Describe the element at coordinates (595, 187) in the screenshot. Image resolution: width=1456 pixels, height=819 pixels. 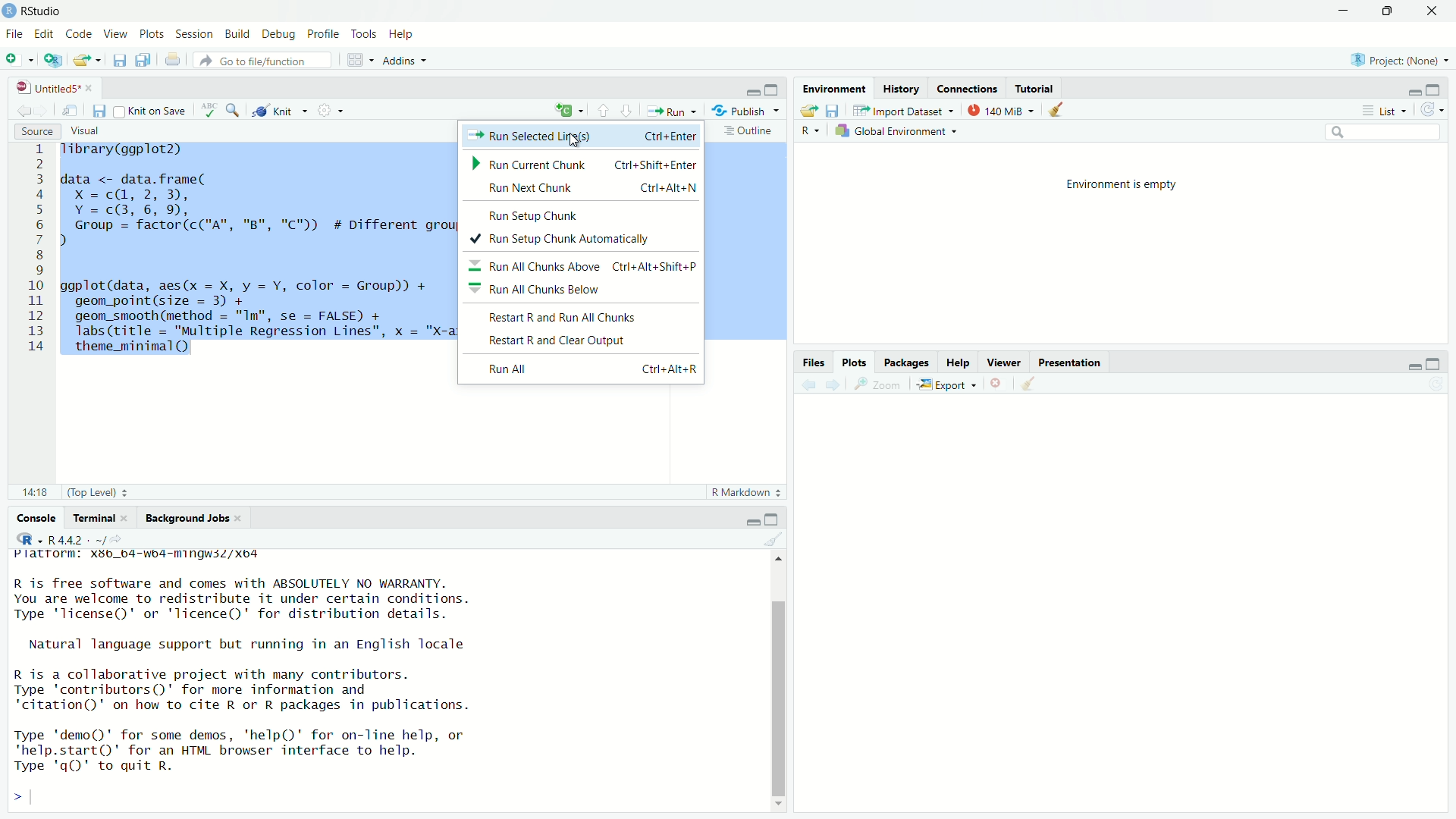
I see `Run Next Chunk Ctri+Alt+N |` at that location.